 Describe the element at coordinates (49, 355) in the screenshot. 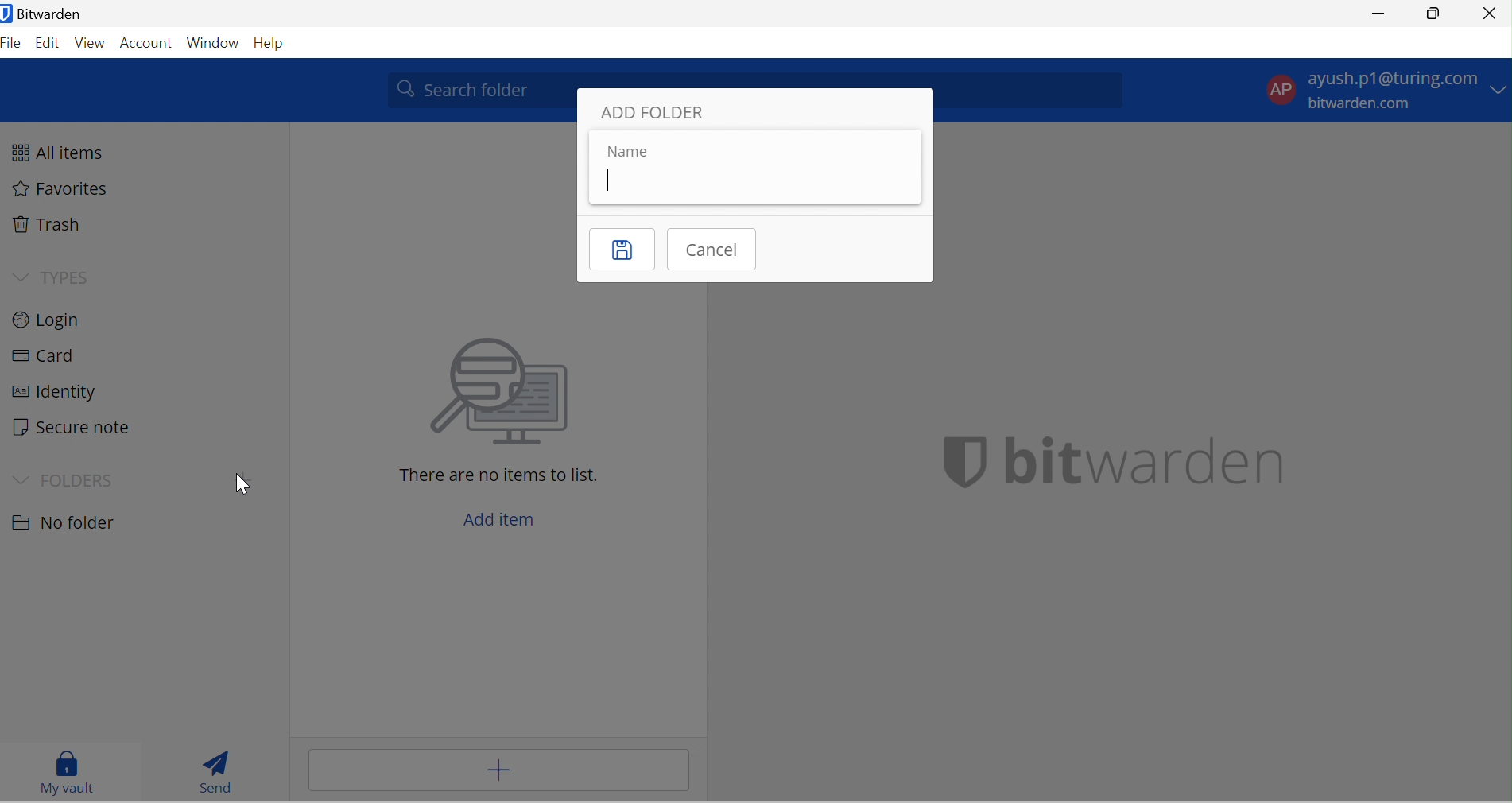

I see `Card` at that location.